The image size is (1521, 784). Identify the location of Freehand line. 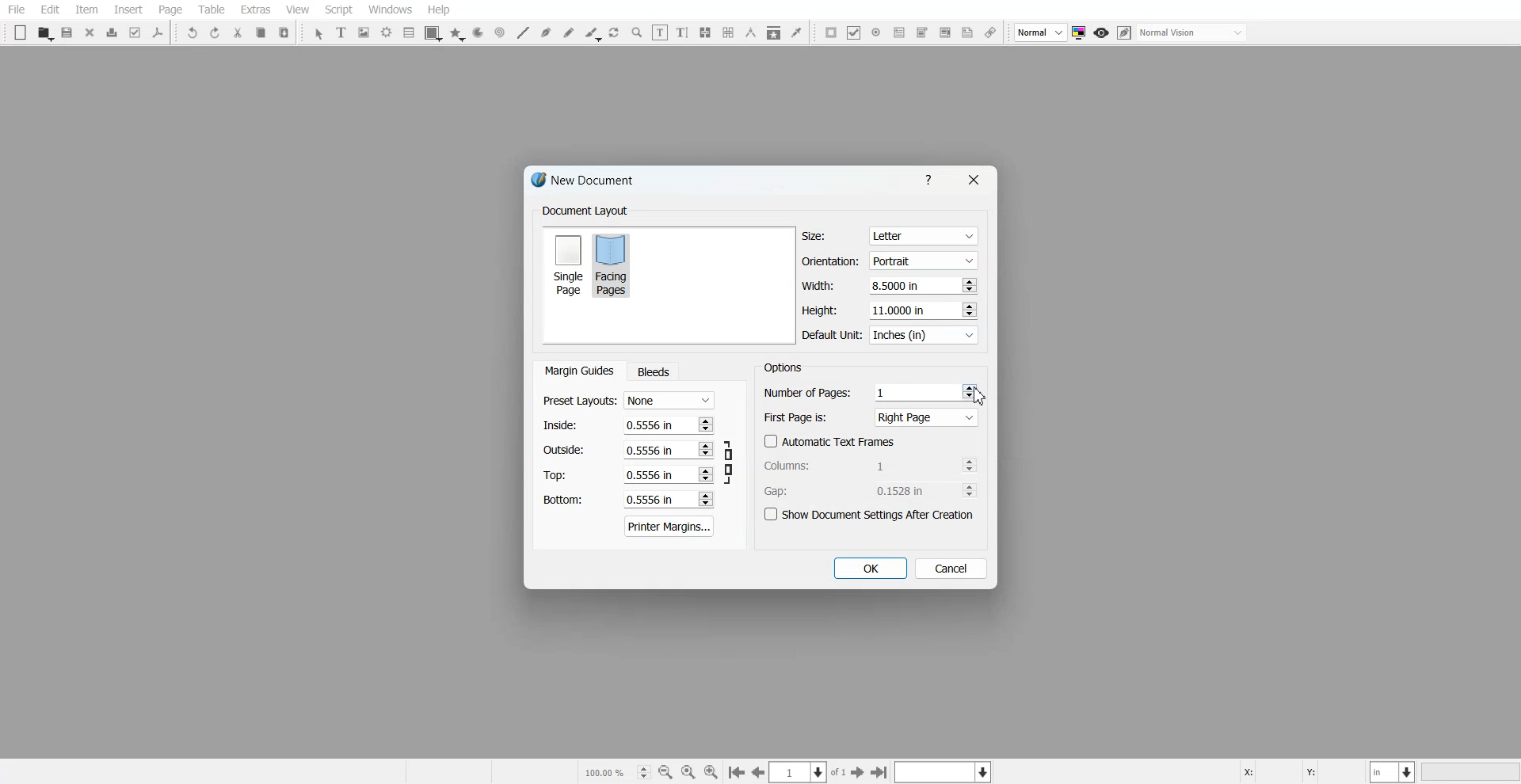
(569, 32).